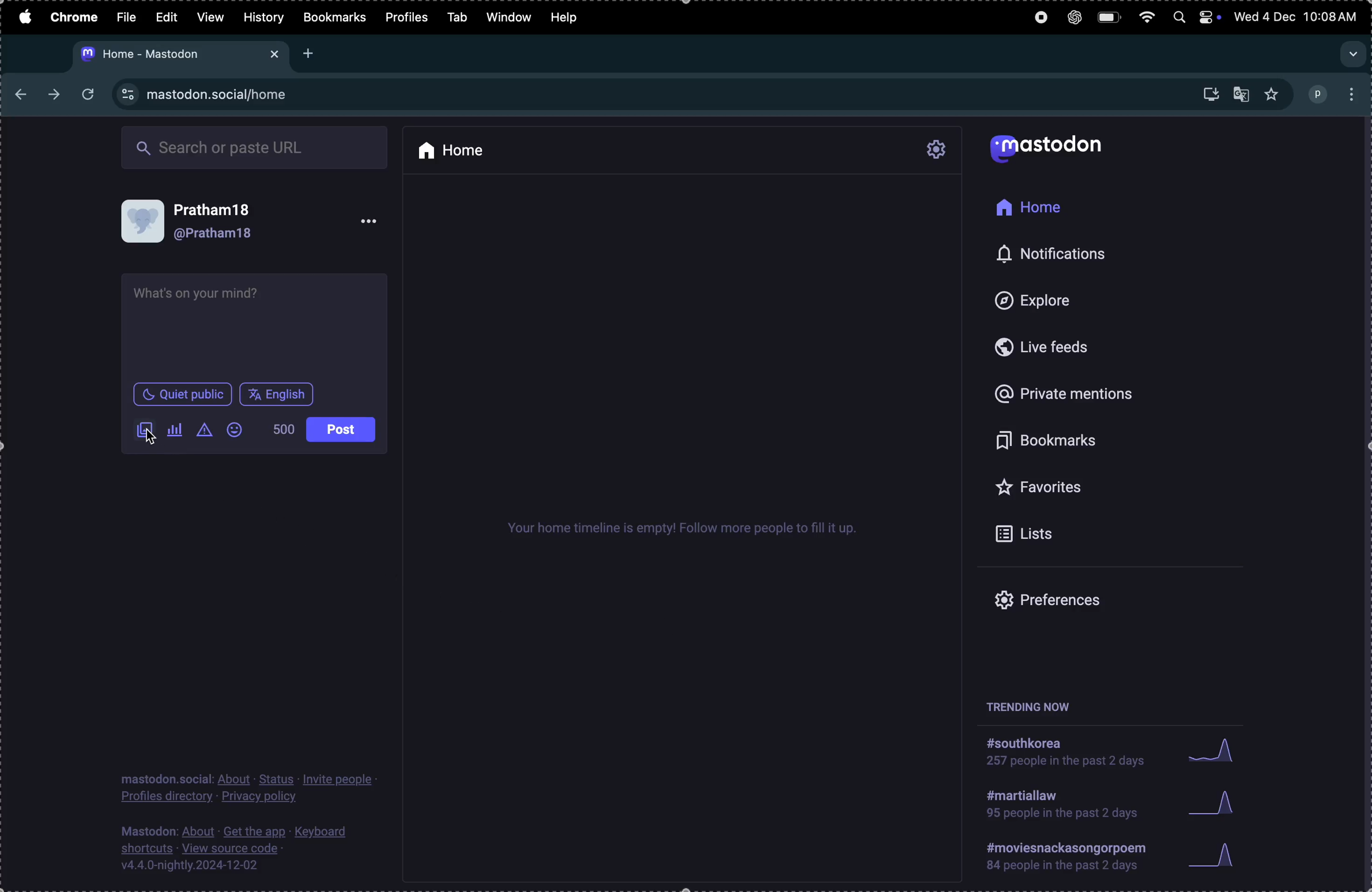 The height and width of the screenshot is (892, 1372). I want to click on Chrome, so click(72, 17).